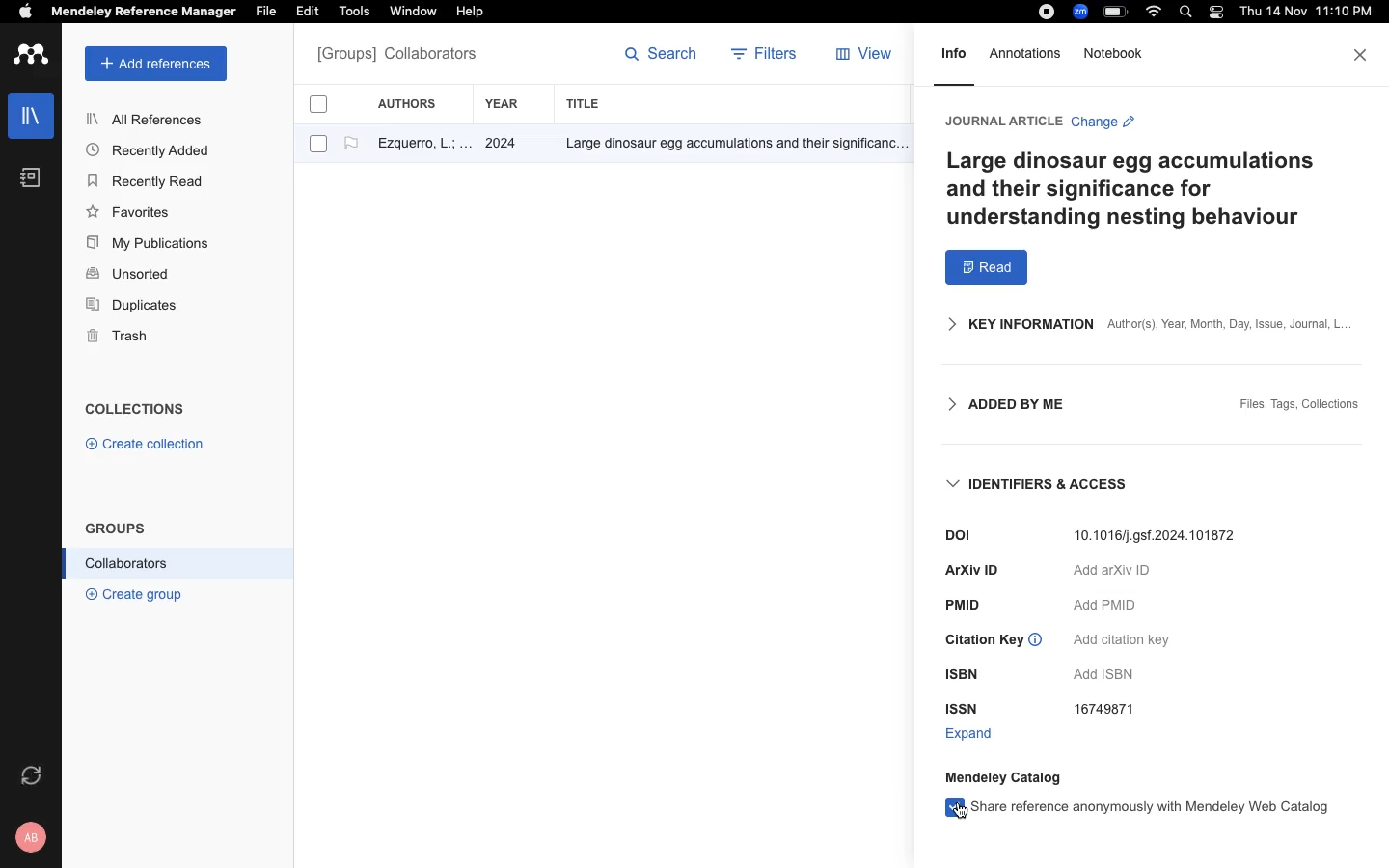 This screenshot has width=1389, height=868. What do you see at coordinates (132, 211) in the screenshot?
I see `Favorites` at bounding box center [132, 211].